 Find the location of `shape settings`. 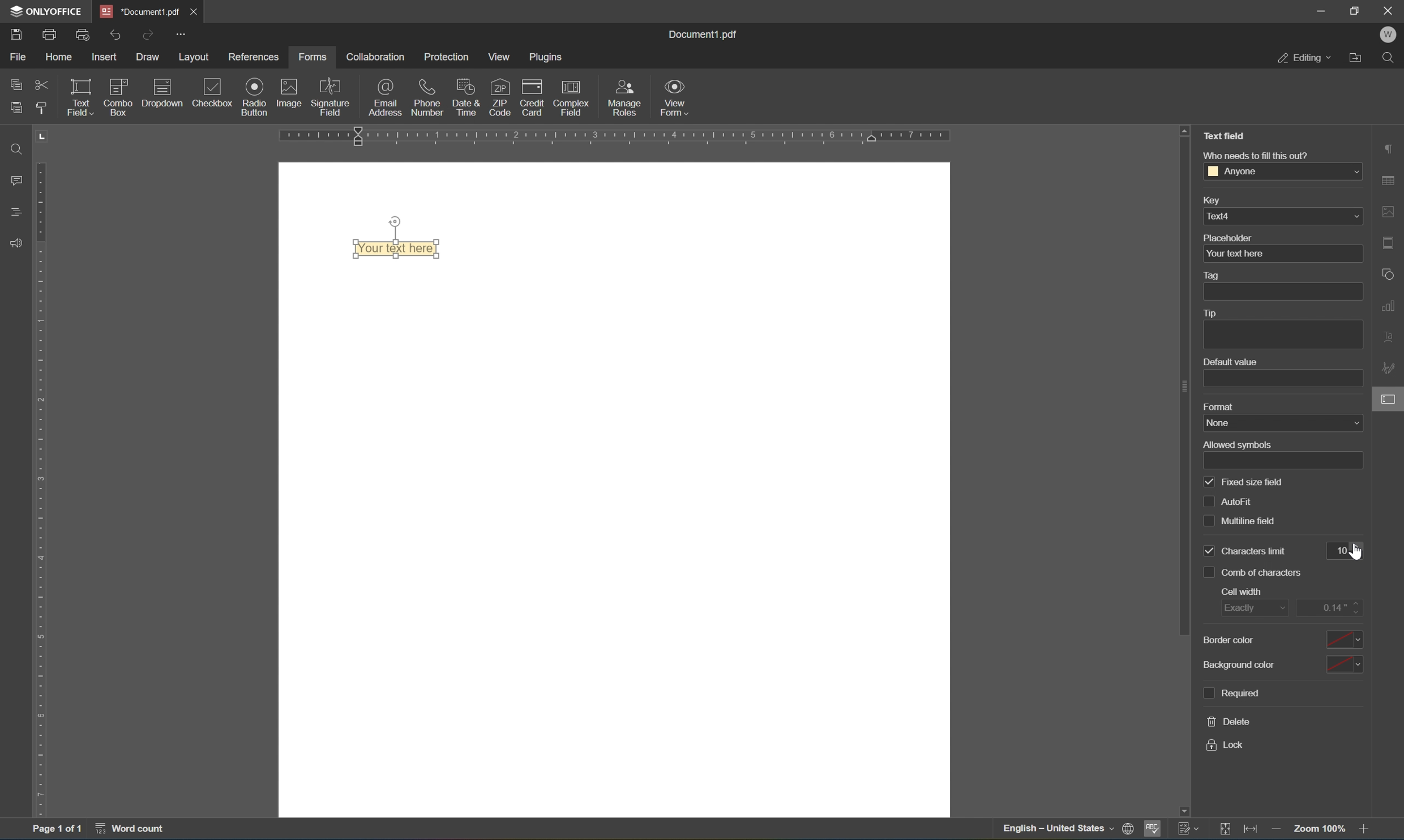

shape settings is located at coordinates (1392, 275).